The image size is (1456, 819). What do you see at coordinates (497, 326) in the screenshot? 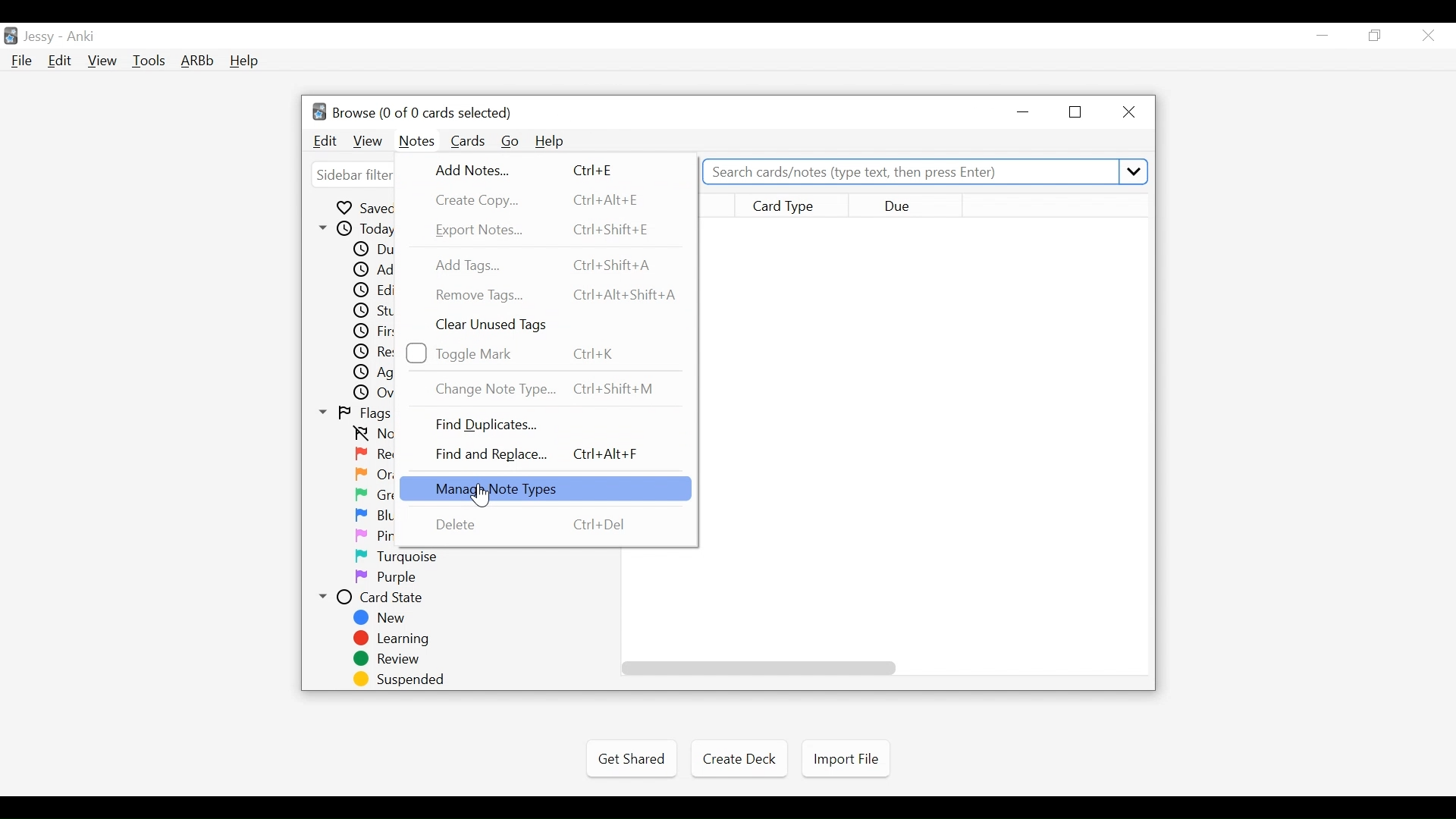
I see `Clear Unused Tags` at bounding box center [497, 326].